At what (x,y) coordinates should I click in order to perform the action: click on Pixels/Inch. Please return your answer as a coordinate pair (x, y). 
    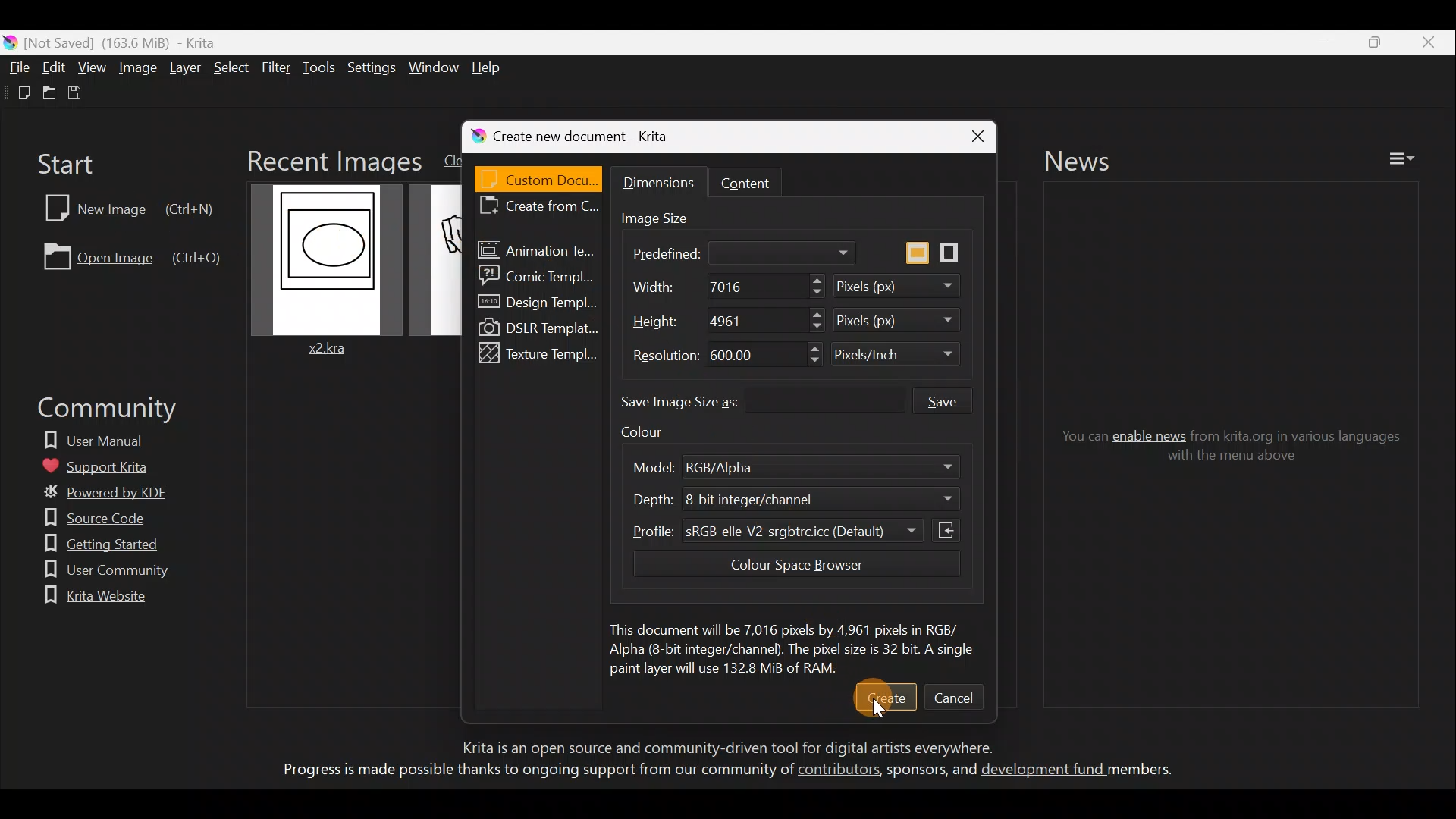
    Looking at the image, I should click on (900, 358).